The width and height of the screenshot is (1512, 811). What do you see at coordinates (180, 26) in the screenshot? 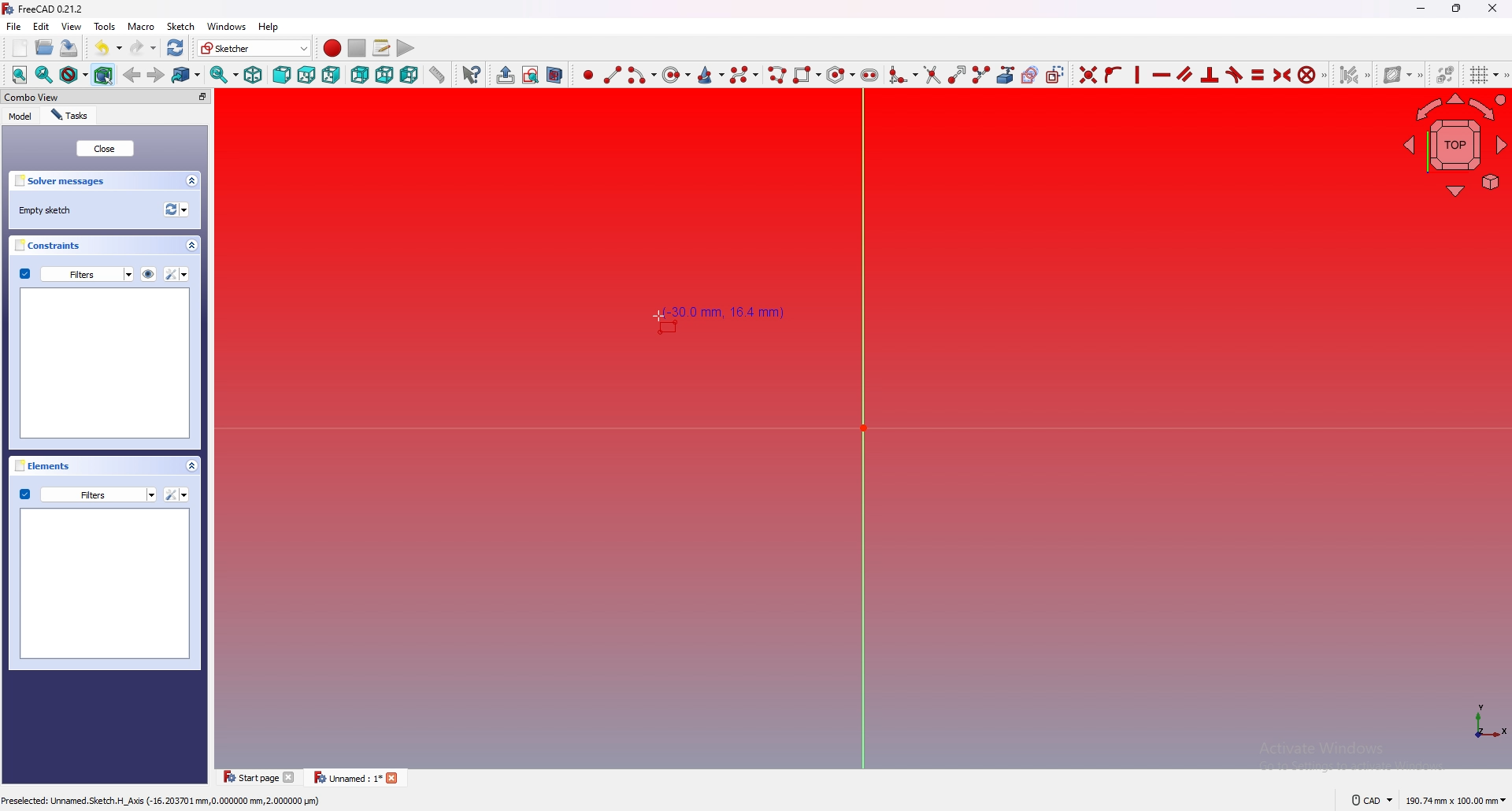
I see `sketch` at bounding box center [180, 26].